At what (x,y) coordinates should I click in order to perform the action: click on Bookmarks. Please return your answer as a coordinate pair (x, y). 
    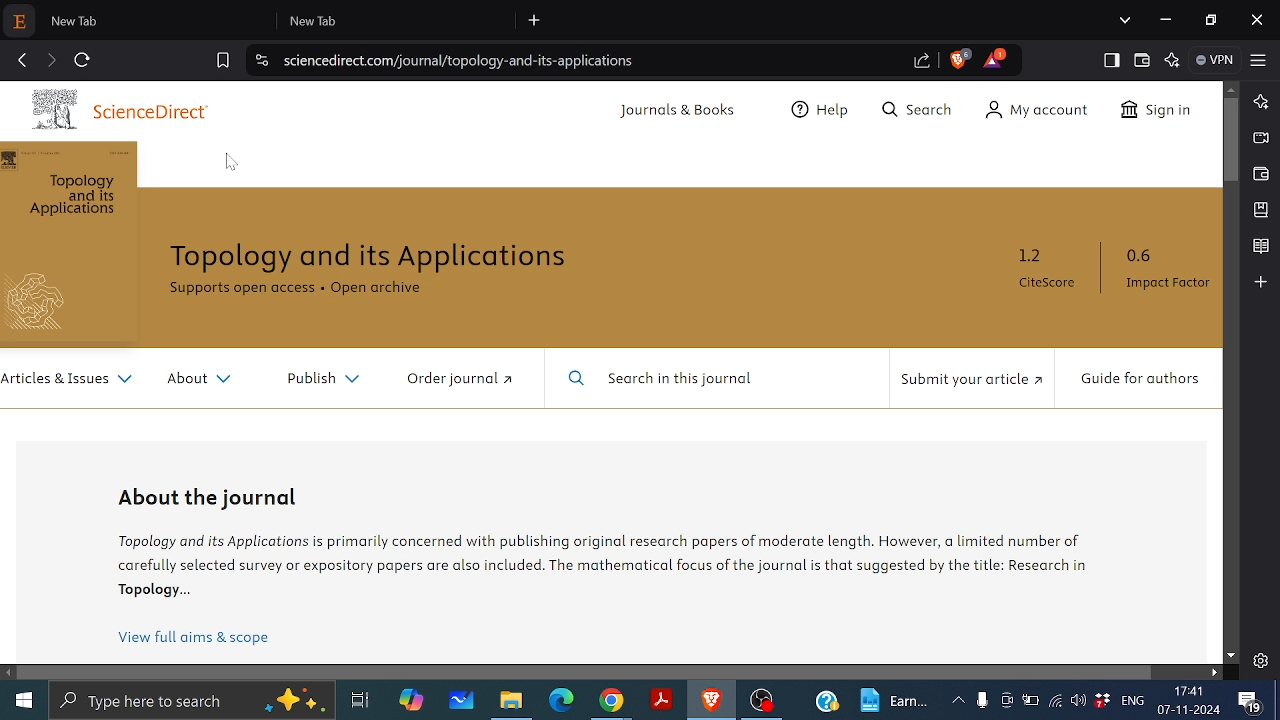
    Looking at the image, I should click on (1261, 210).